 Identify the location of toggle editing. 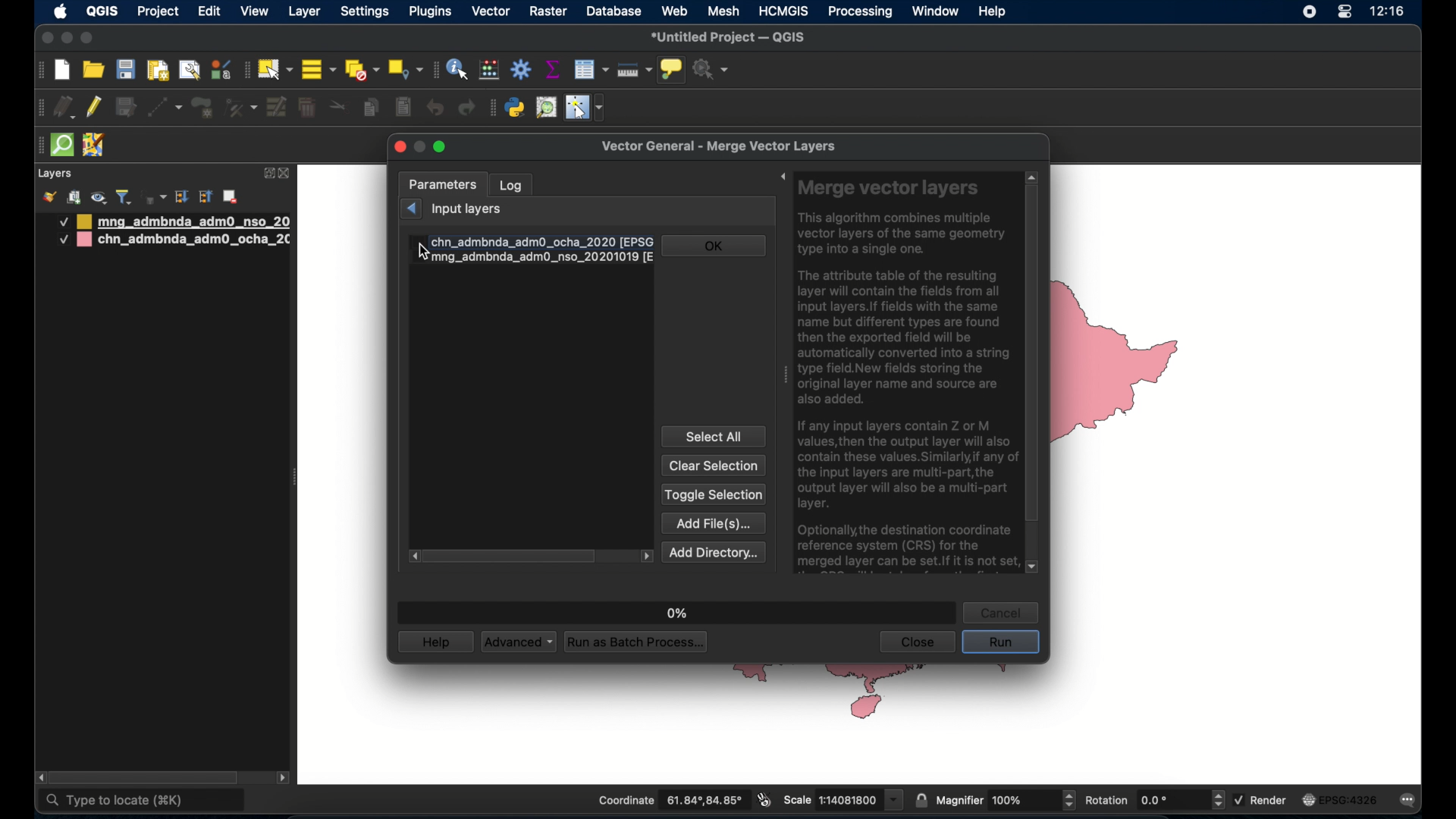
(95, 108).